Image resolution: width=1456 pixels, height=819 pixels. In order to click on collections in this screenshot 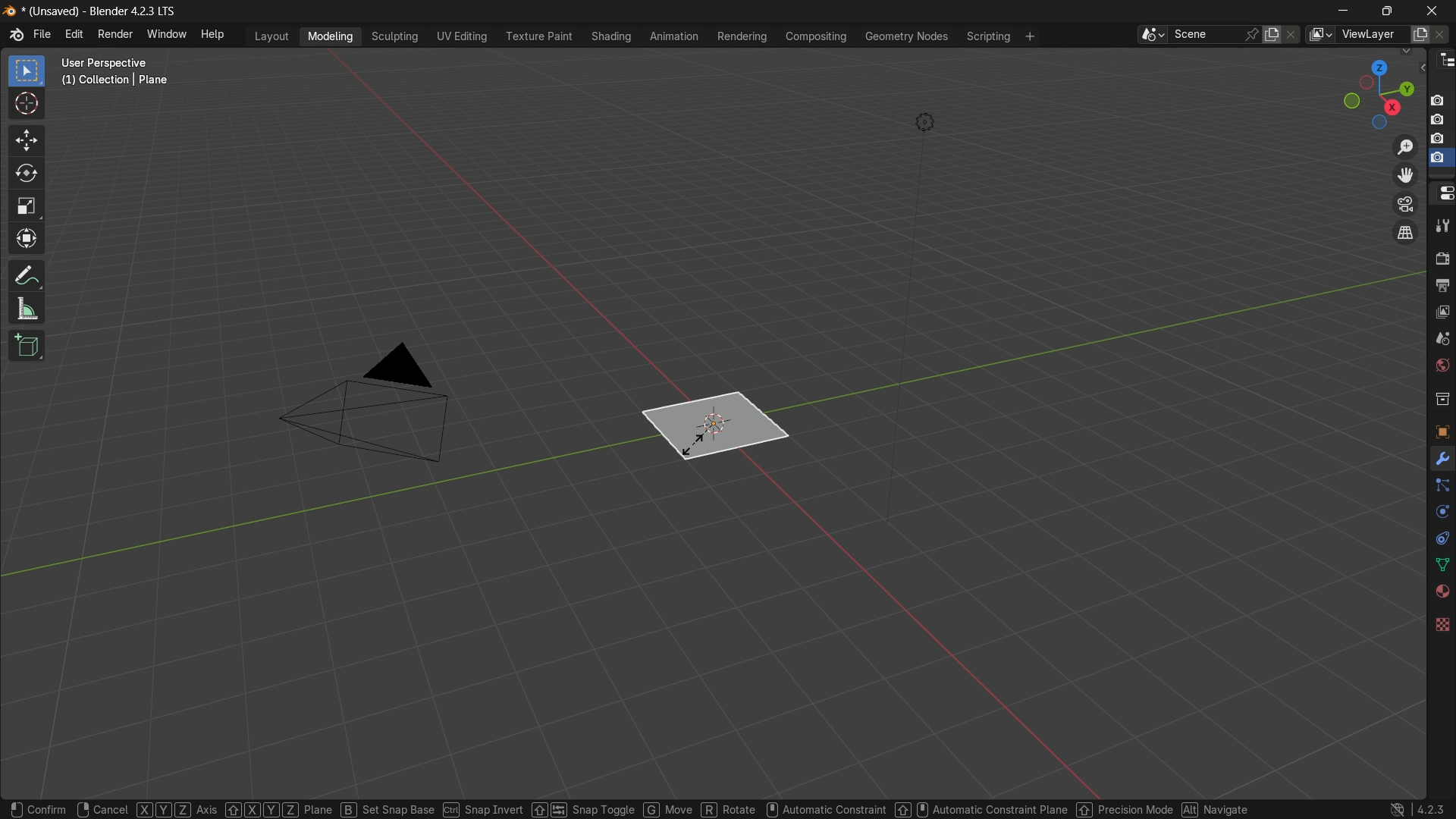, I will do `click(1442, 397)`.